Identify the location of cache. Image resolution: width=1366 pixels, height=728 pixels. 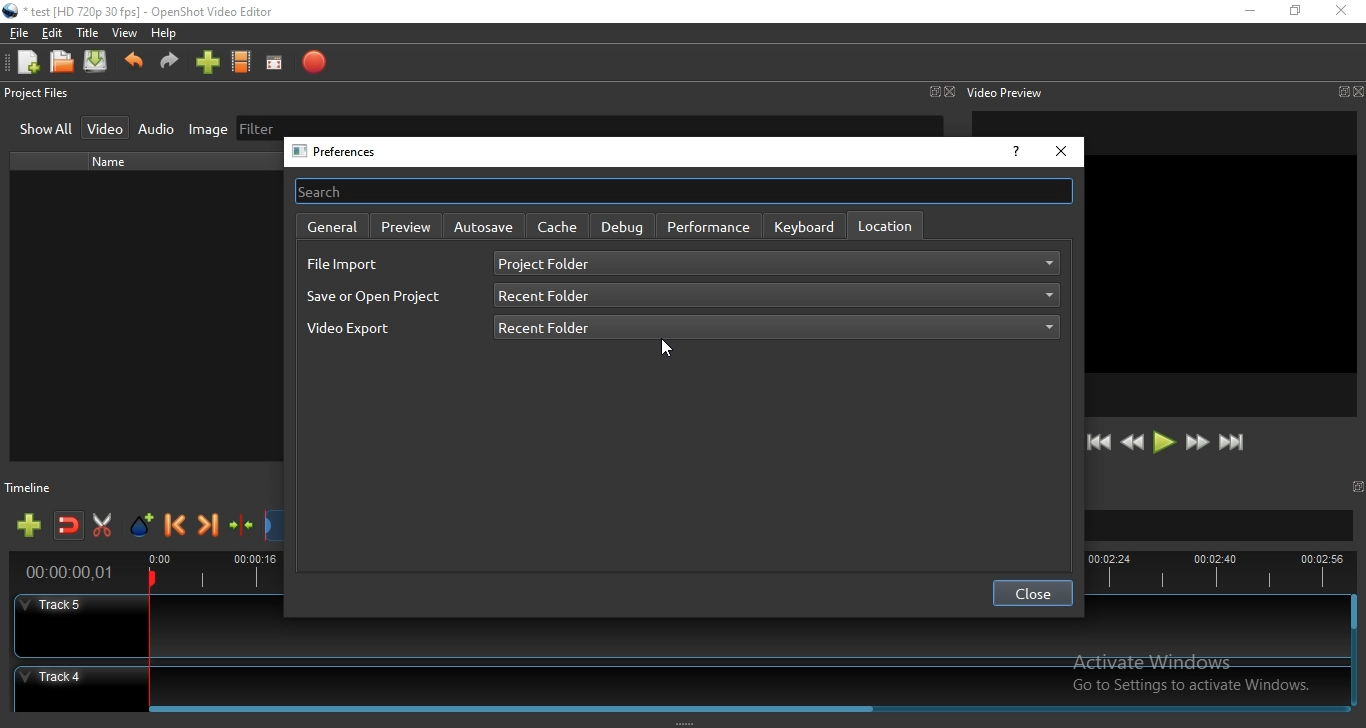
(558, 227).